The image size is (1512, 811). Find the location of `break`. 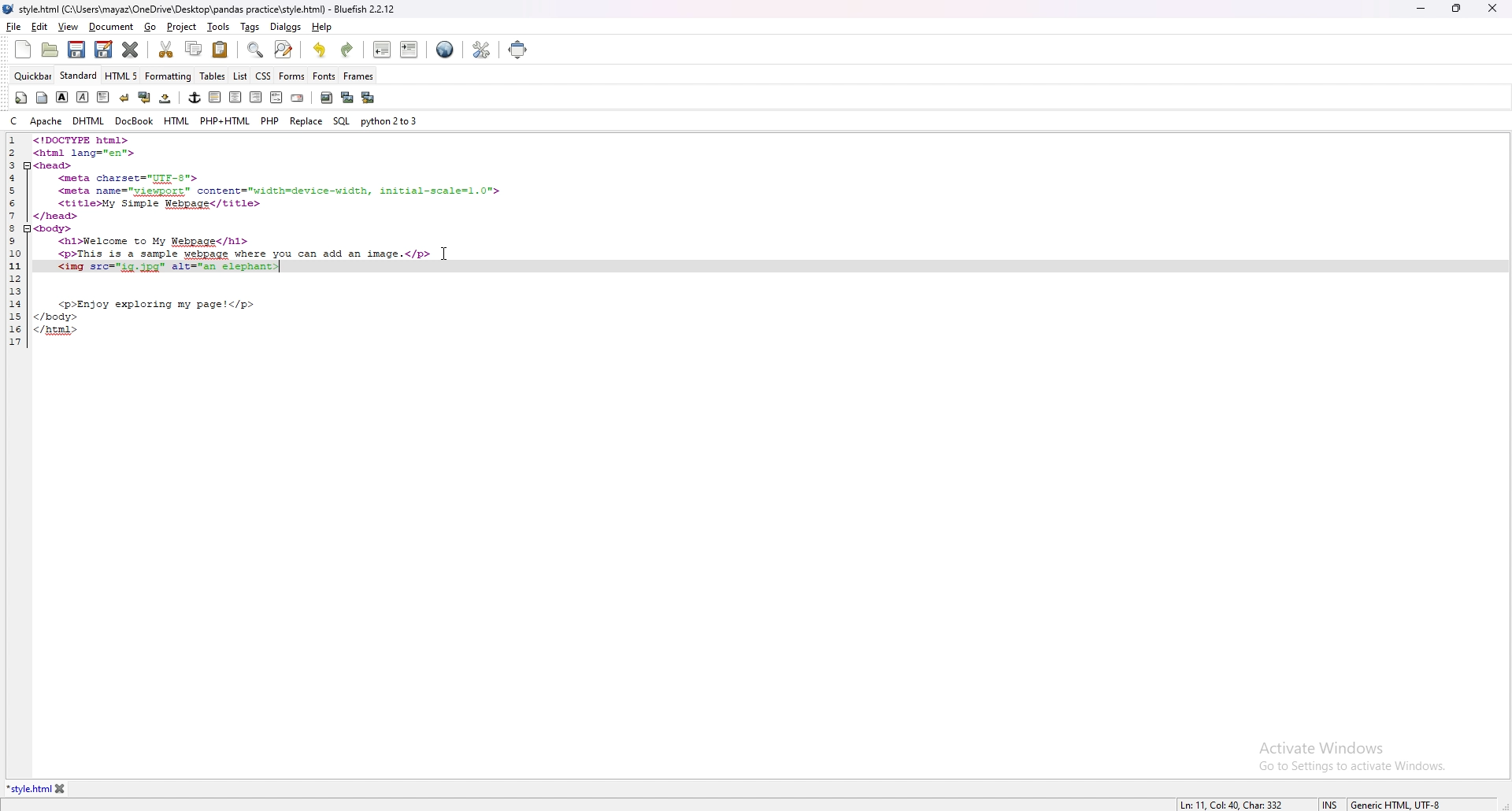

break is located at coordinates (124, 98).